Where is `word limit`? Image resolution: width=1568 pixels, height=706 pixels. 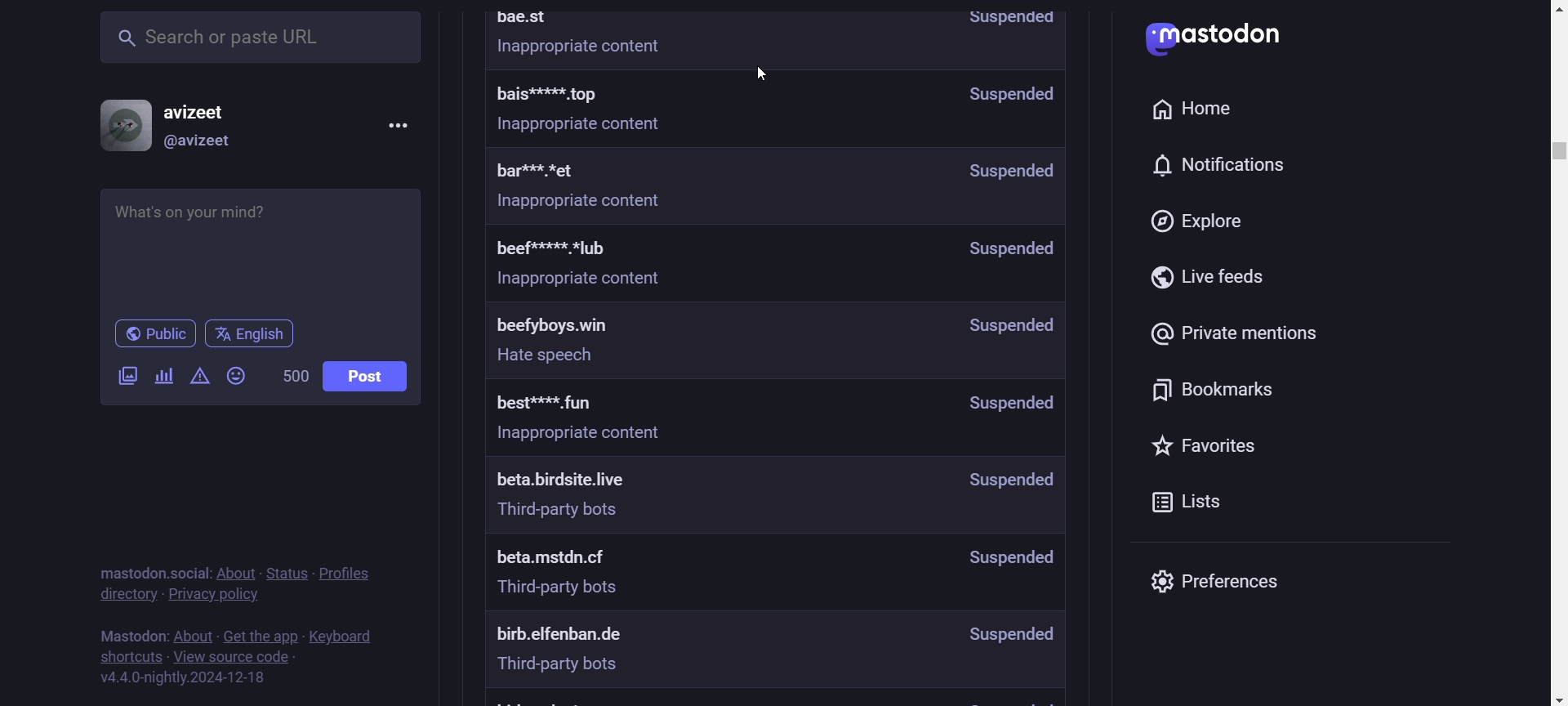 word limit is located at coordinates (292, 378).